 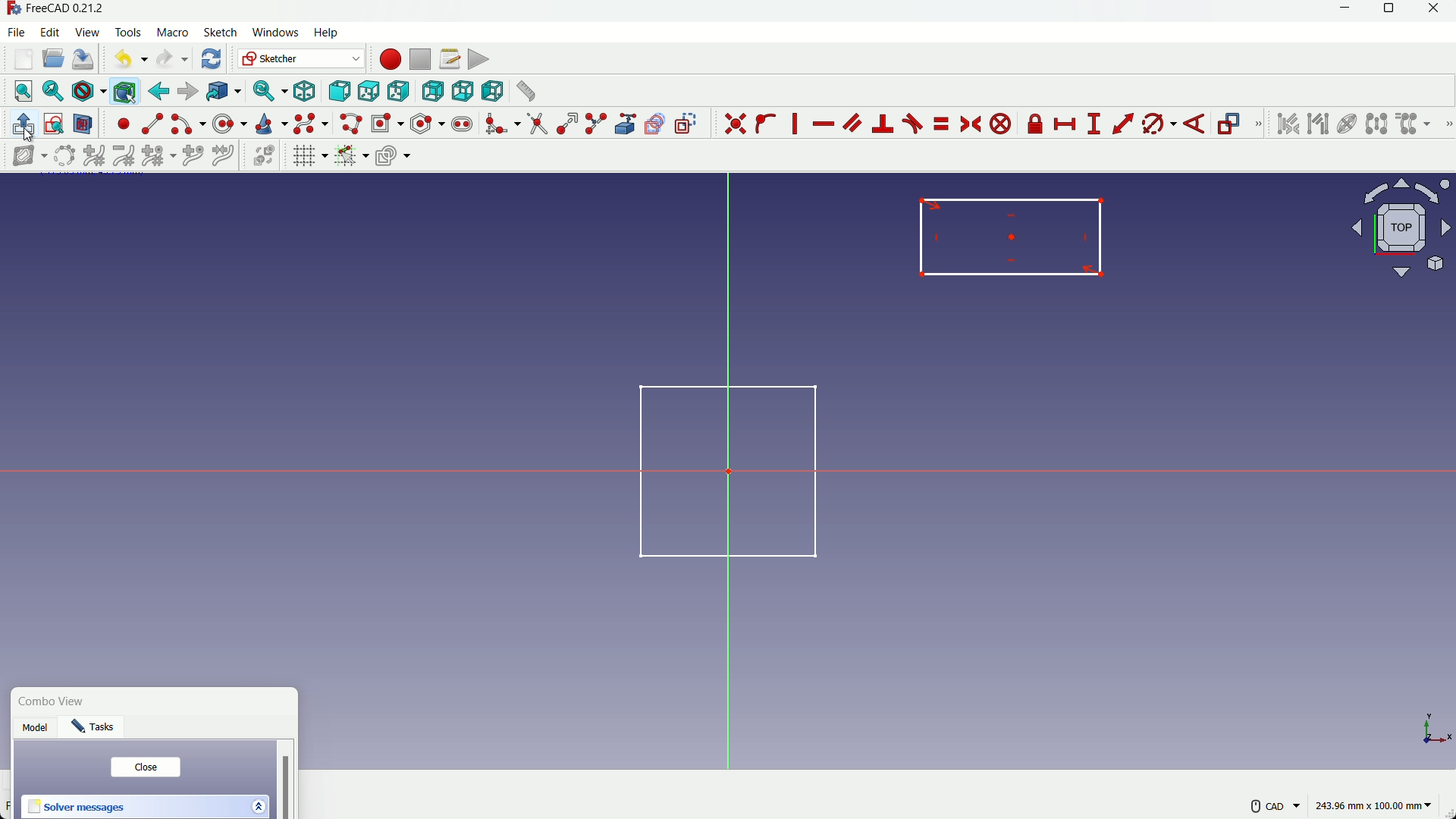 I want to click on join curves, so click(x=227, y=154).